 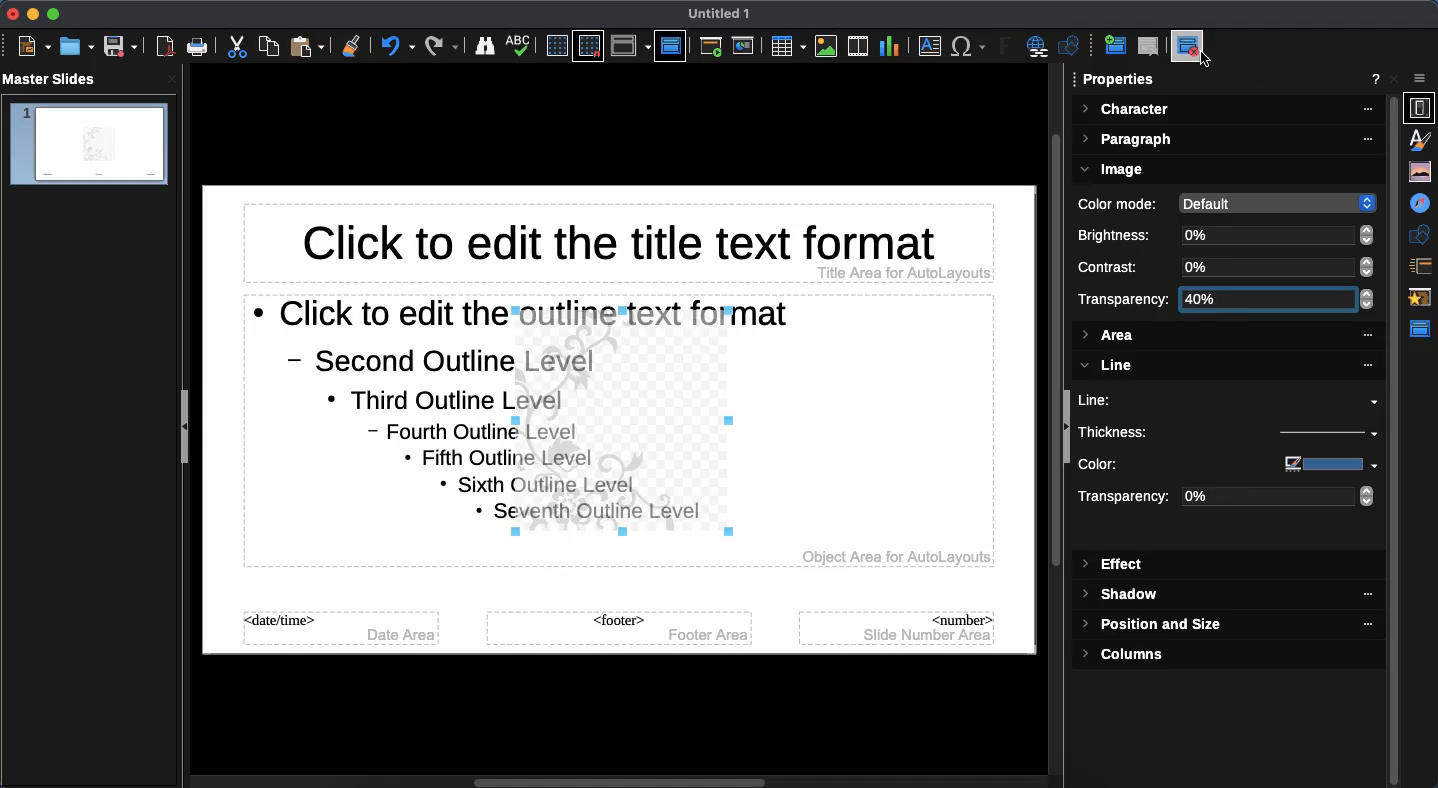 What do you see at coordinates (630, 46) in the screenshot?
I see `Display view` at bounding box center [630, 46].